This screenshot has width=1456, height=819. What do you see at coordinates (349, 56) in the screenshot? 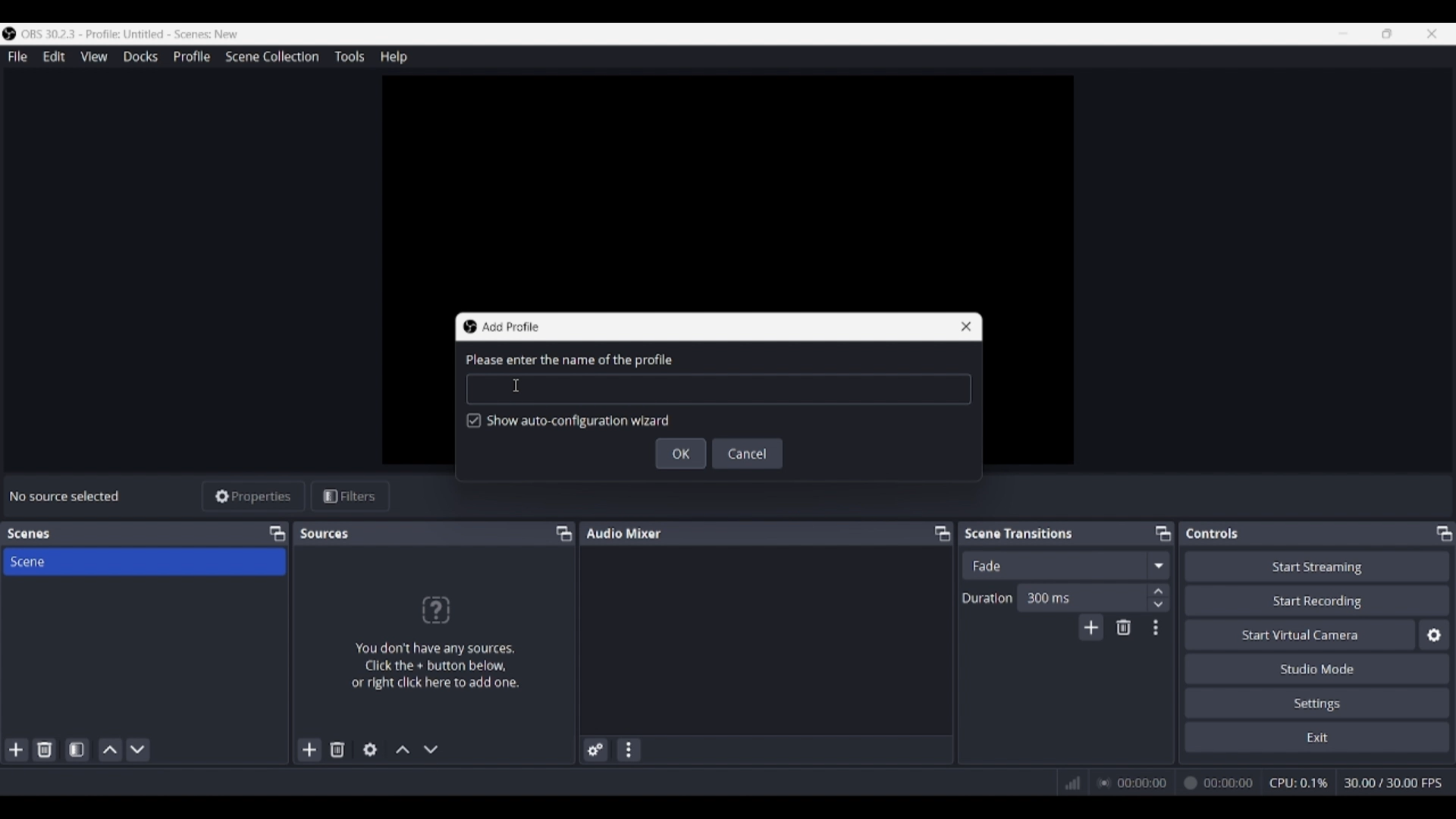
I see `Tools menu` at bounding box center [349, 56].